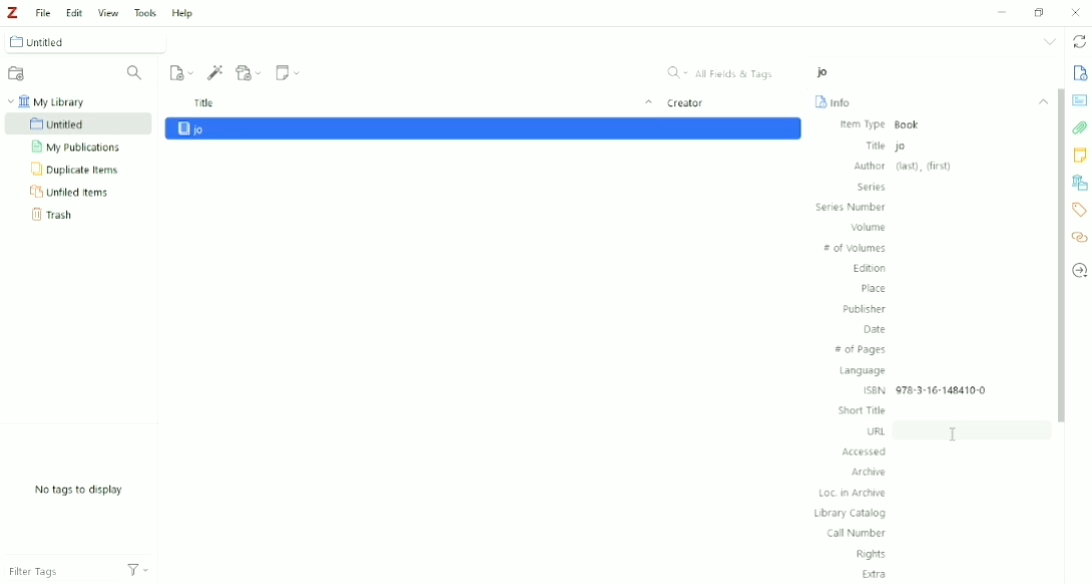  Describe the element at coordinates (870, 228) in the screenshot. I see `Volume` at that location.